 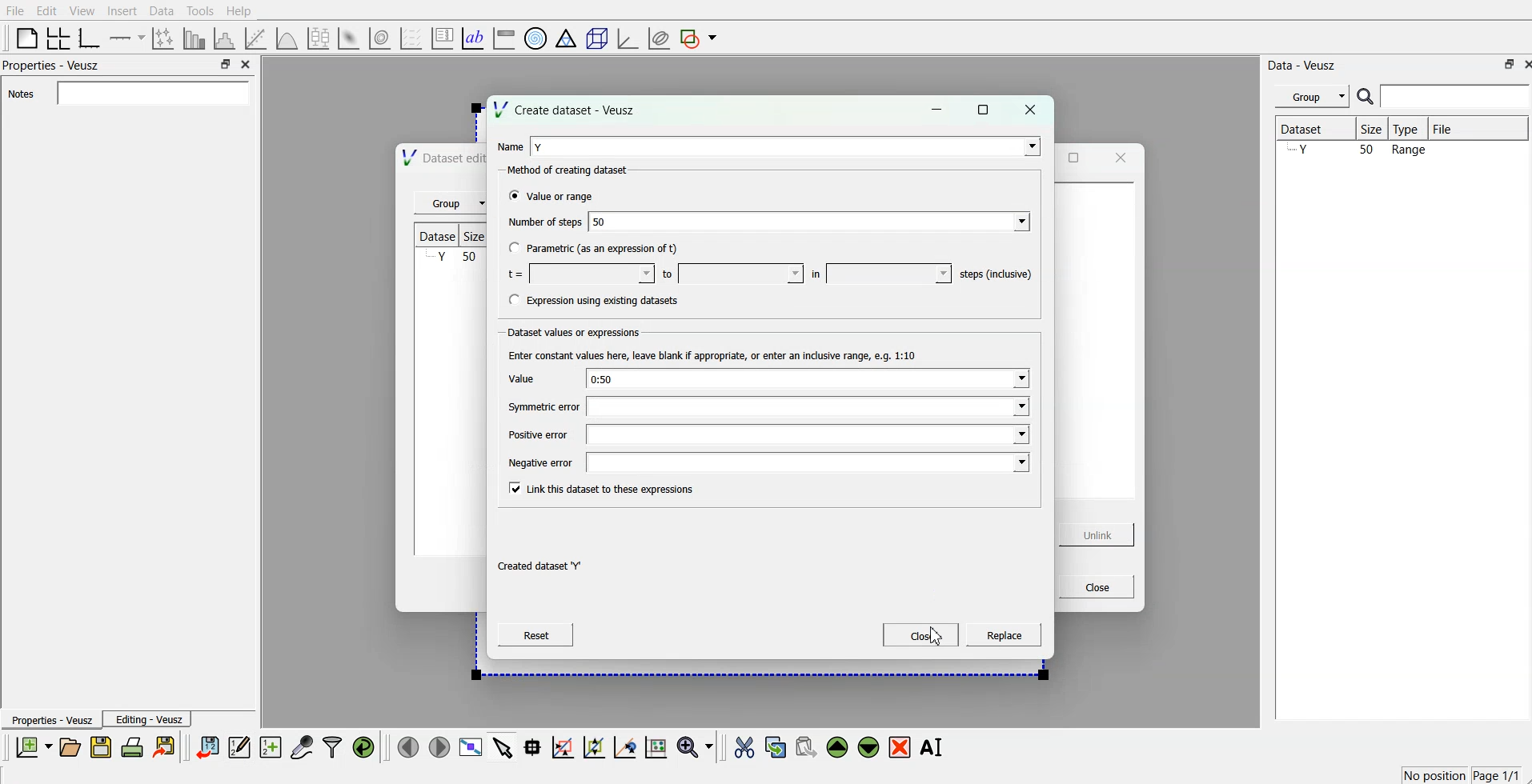 What do you see at coordinates (564, 110) in the screenshot?
I see `Create dataset - Veusz` at bounding box center [564, 110].